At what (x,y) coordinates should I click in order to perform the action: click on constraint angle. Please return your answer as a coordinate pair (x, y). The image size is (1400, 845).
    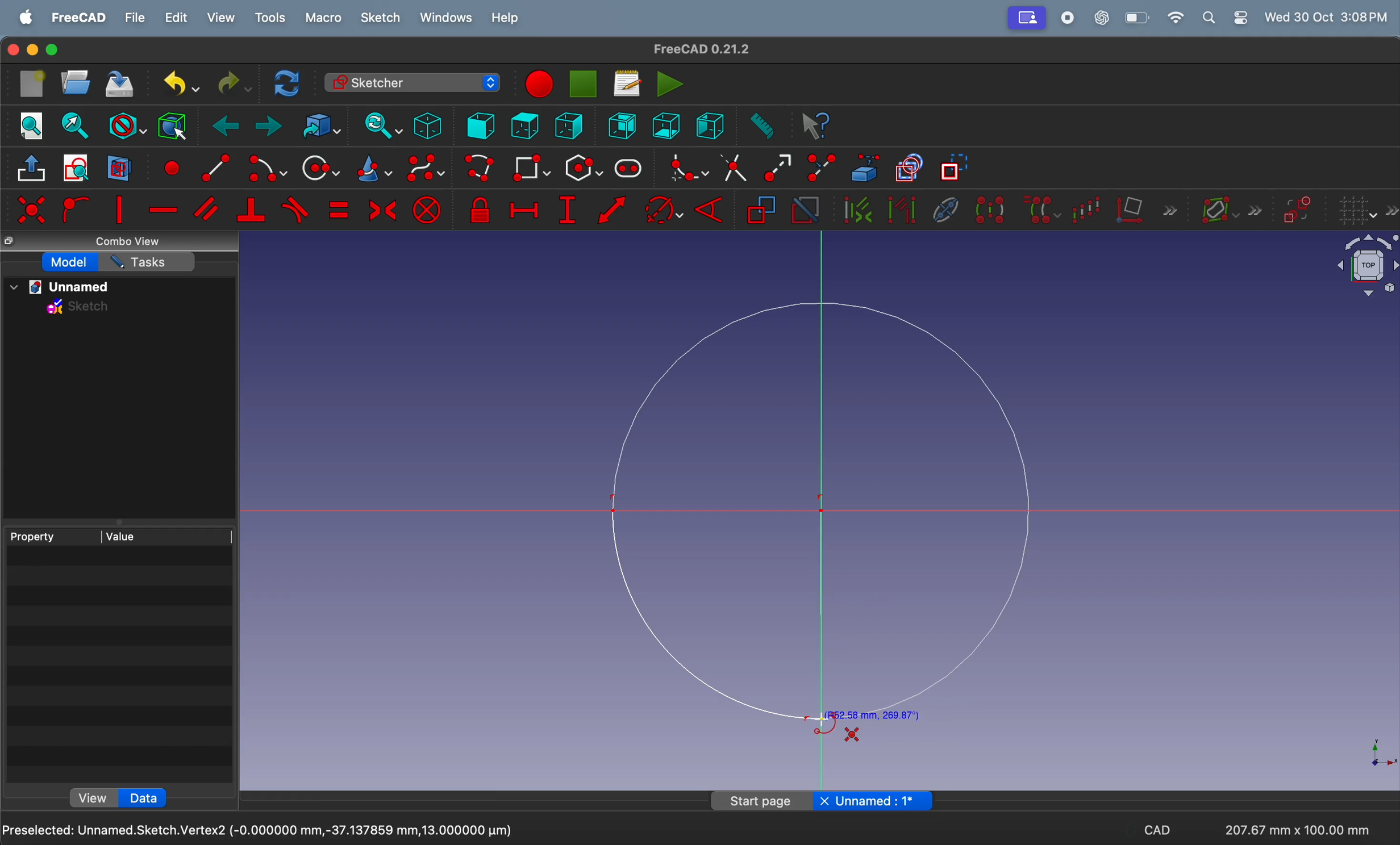
    Looking at the image, I should click on (714, 208).